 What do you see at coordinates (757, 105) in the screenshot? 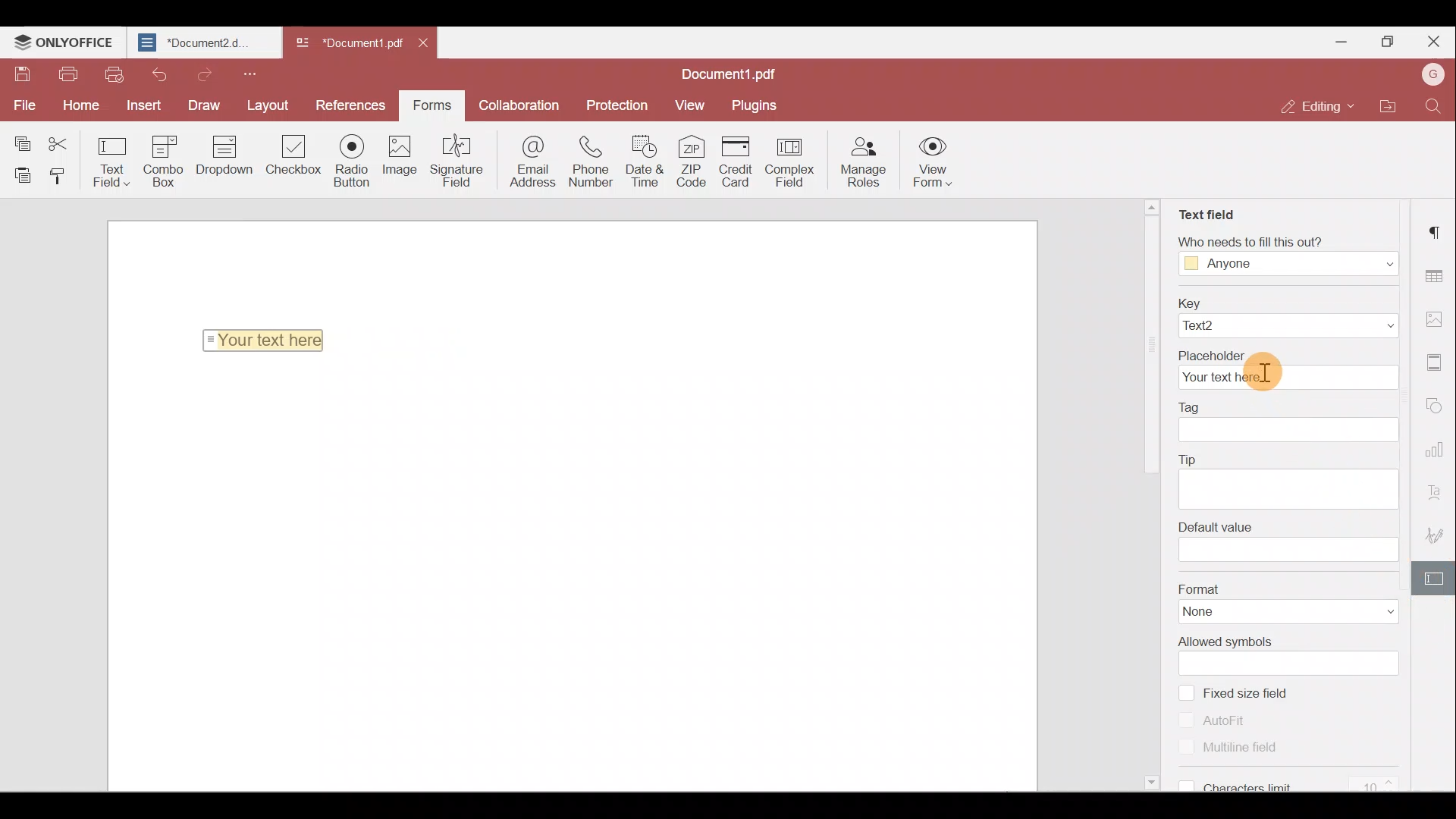
I see `Plugins` at bounding box center [757, 105].